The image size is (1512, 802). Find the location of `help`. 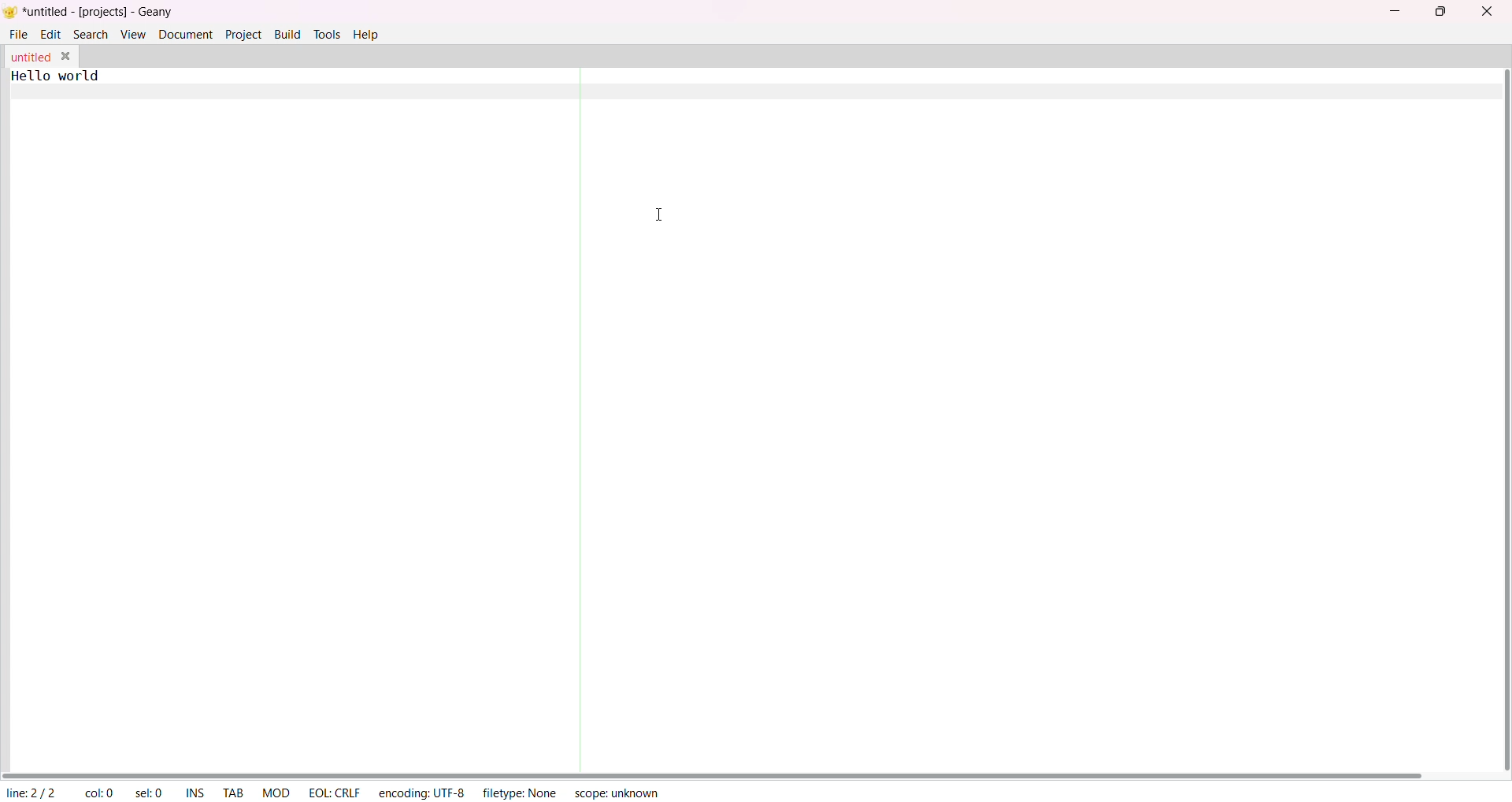

help is located at coordinates (370, 33).